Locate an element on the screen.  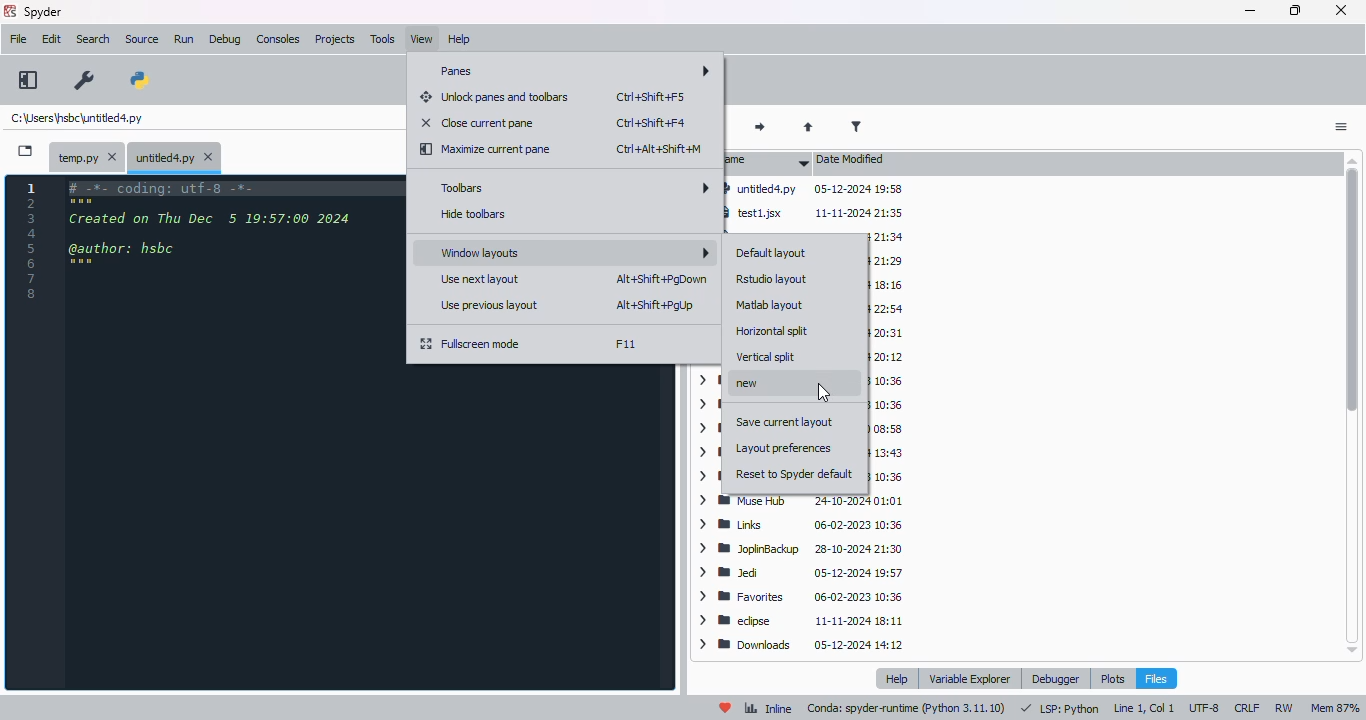
shortcut for use next layout is located at coordinates (661, 279).